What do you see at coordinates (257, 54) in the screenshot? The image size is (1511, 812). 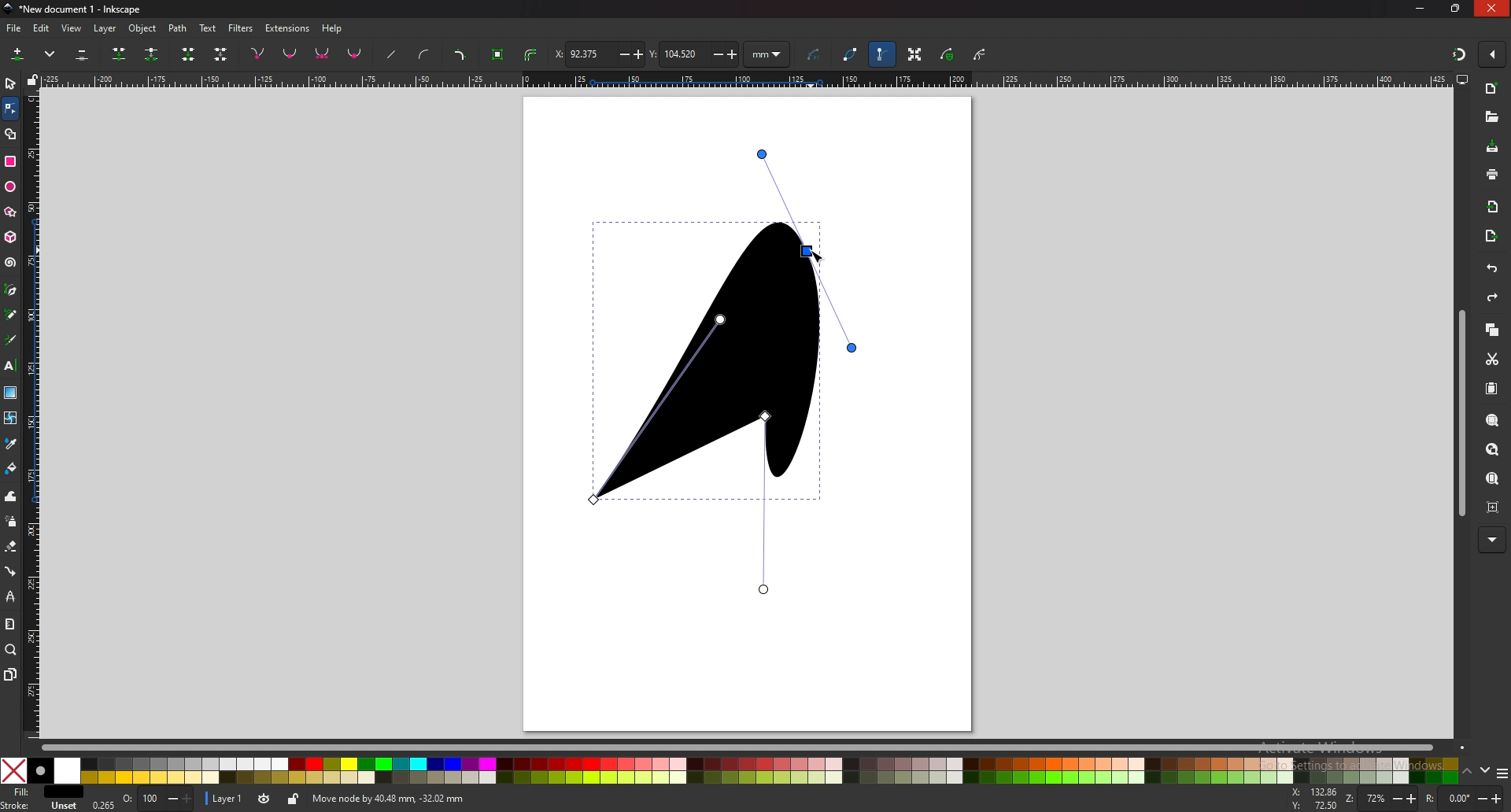 I see `nodes corner` at bounding box center [257, 54].